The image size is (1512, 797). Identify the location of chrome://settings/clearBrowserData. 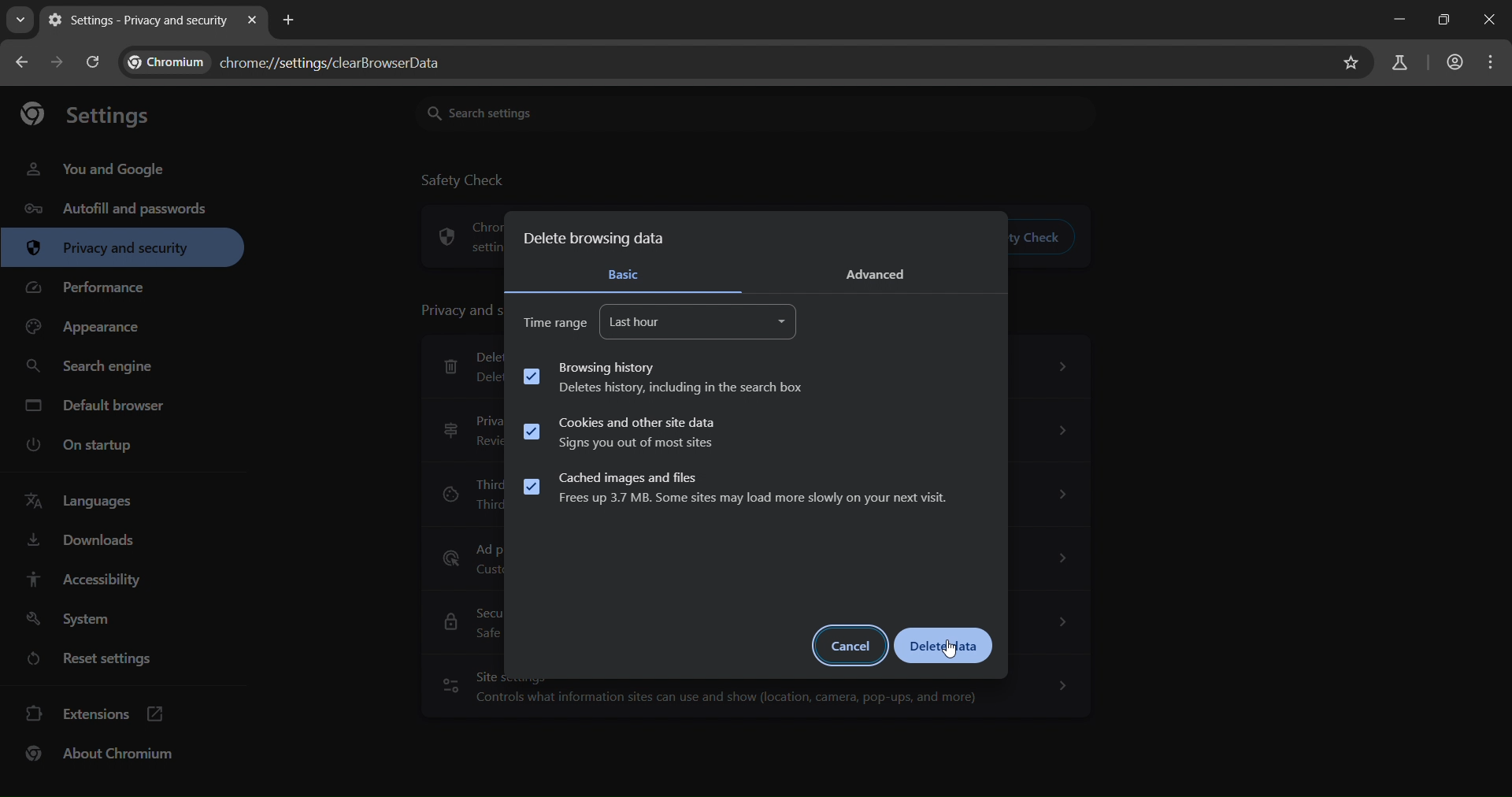
(335, 59).